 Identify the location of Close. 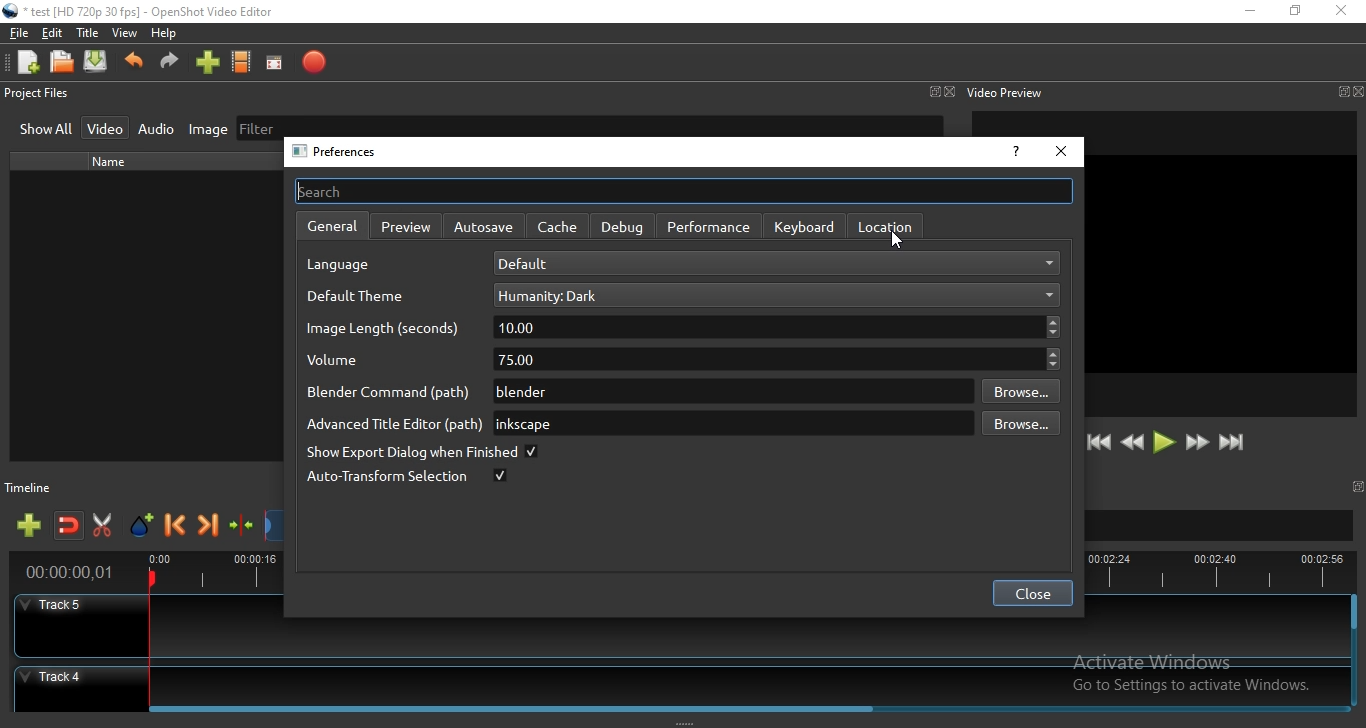
(950, 92).